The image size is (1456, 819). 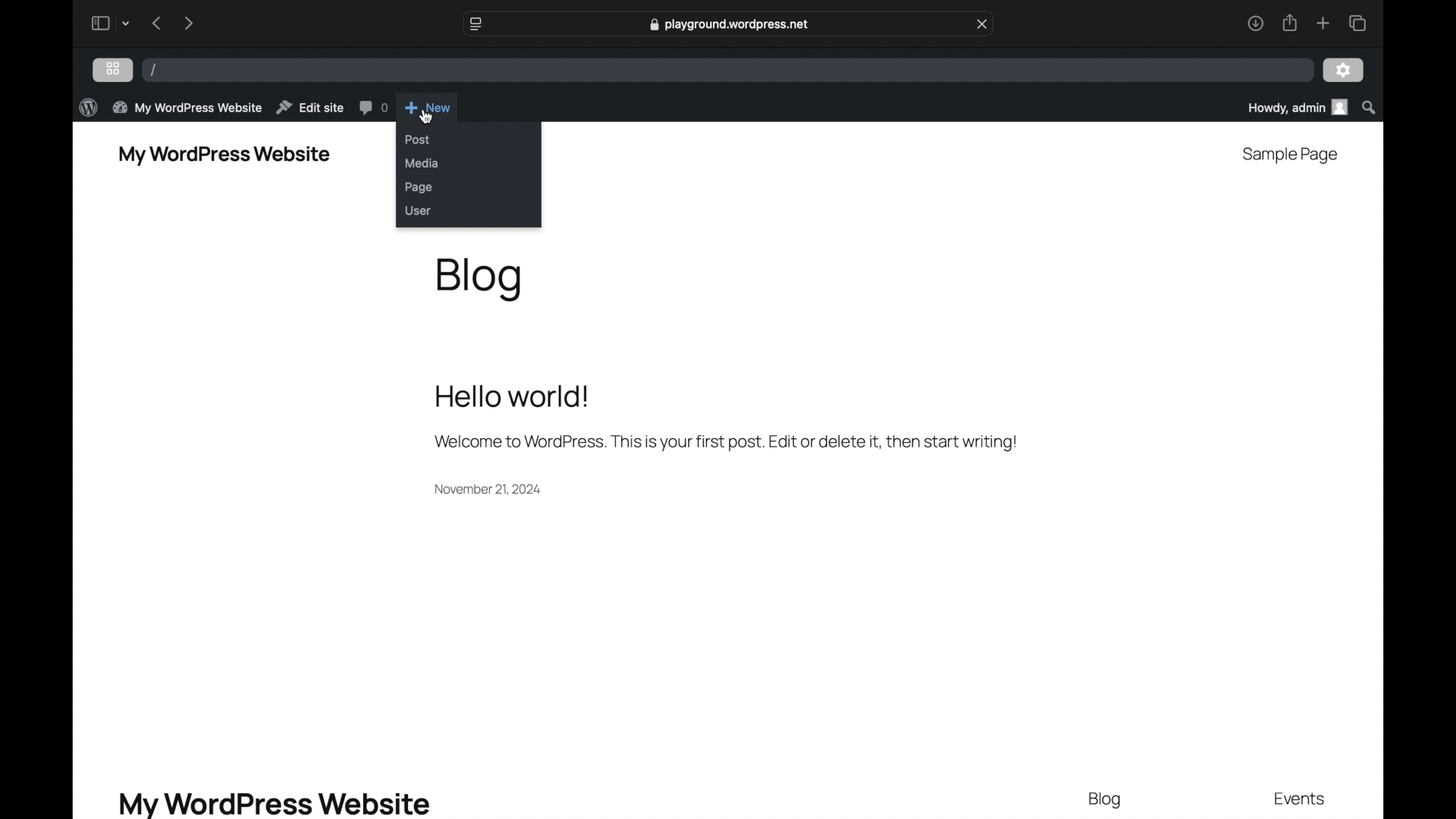 I want to click on my wordpress website, so click(x=224, y=154).